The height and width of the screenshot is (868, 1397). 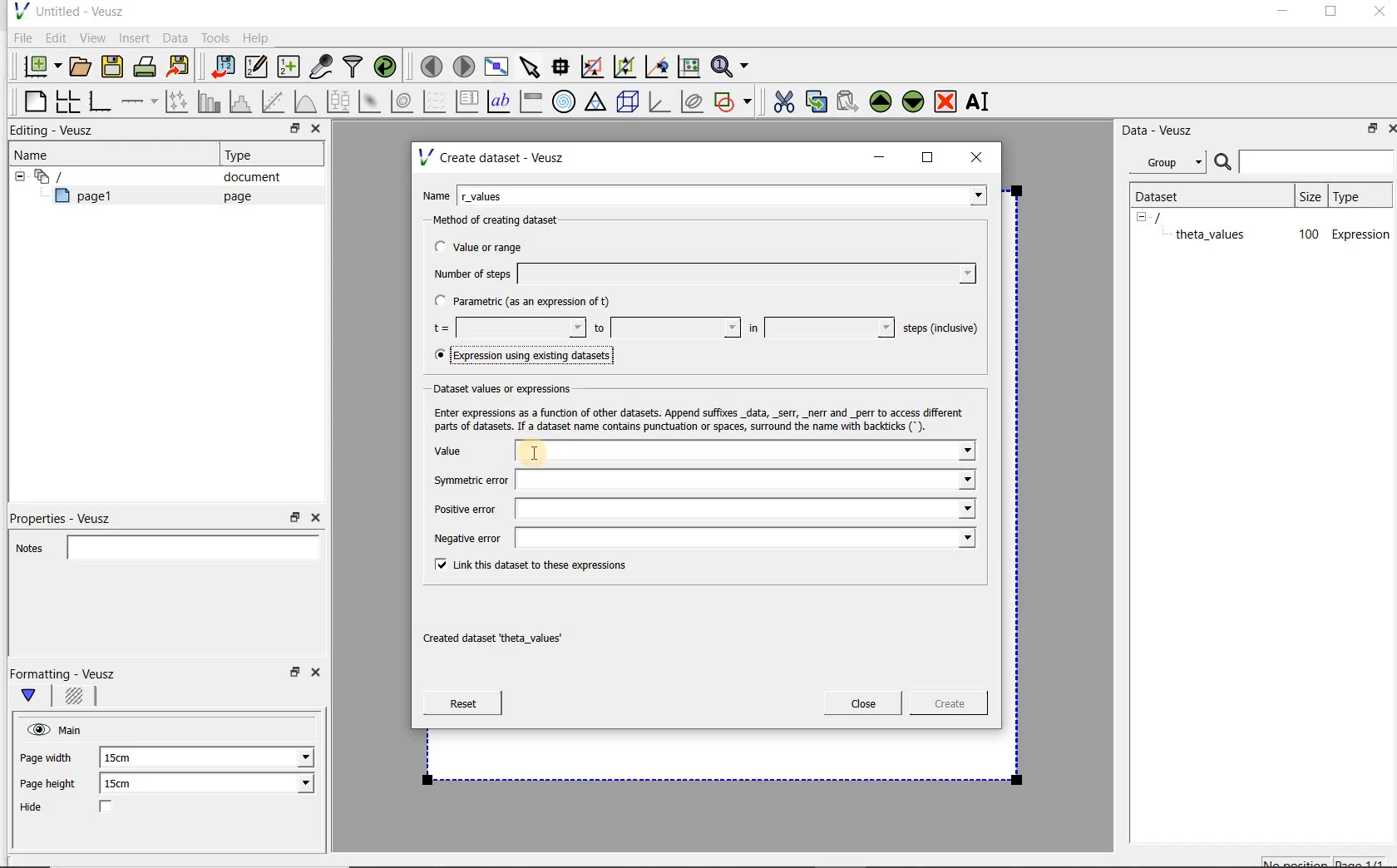 What do you see at coordinates (511, 633) in the screenshot?
I see `| Created dataset ‘theta_values"` at bounding box center [511, 633].